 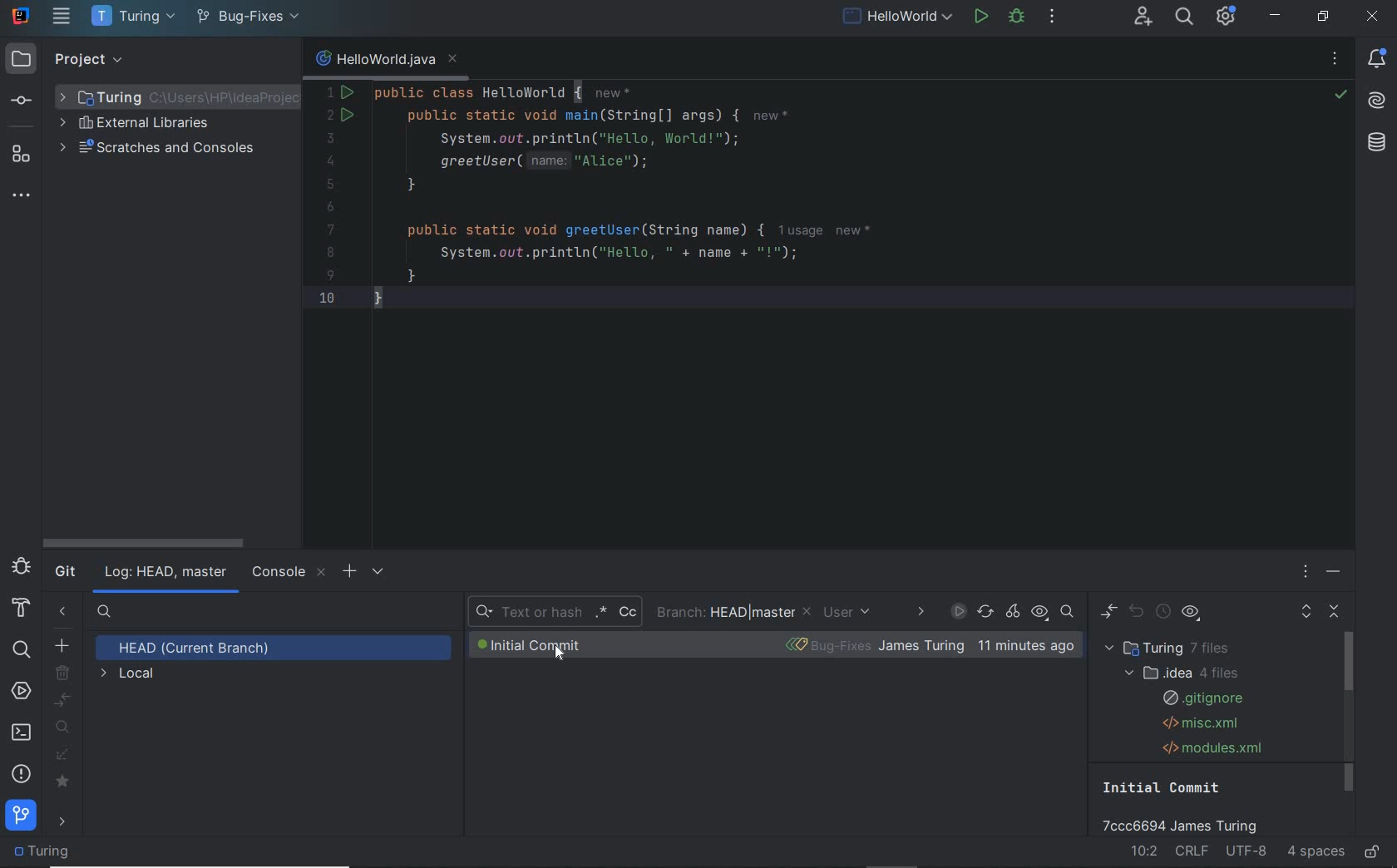 I want to click on time, so click(x=1025, y=646).